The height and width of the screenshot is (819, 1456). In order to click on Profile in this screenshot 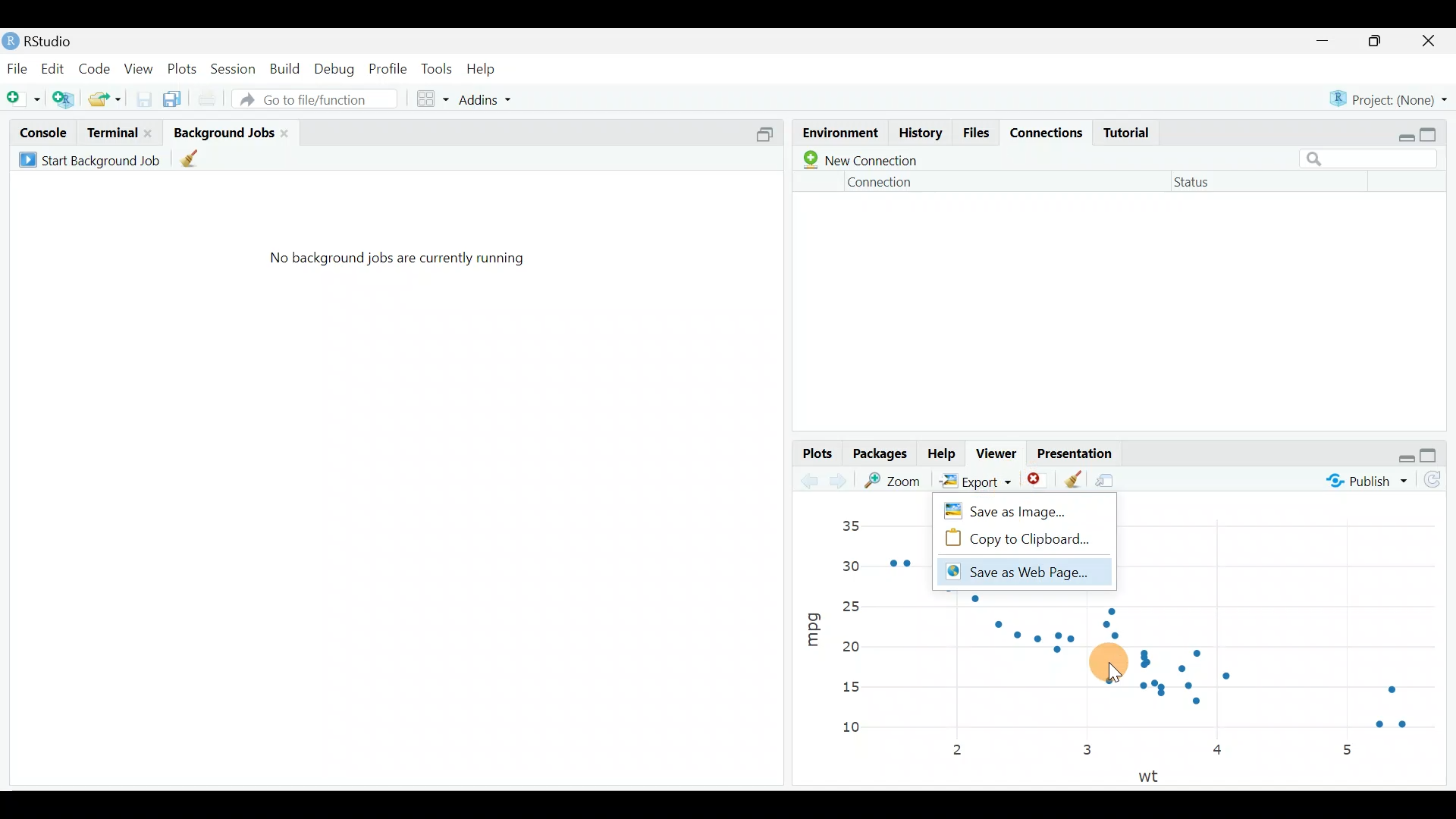, I will do `click(390, 68)`.